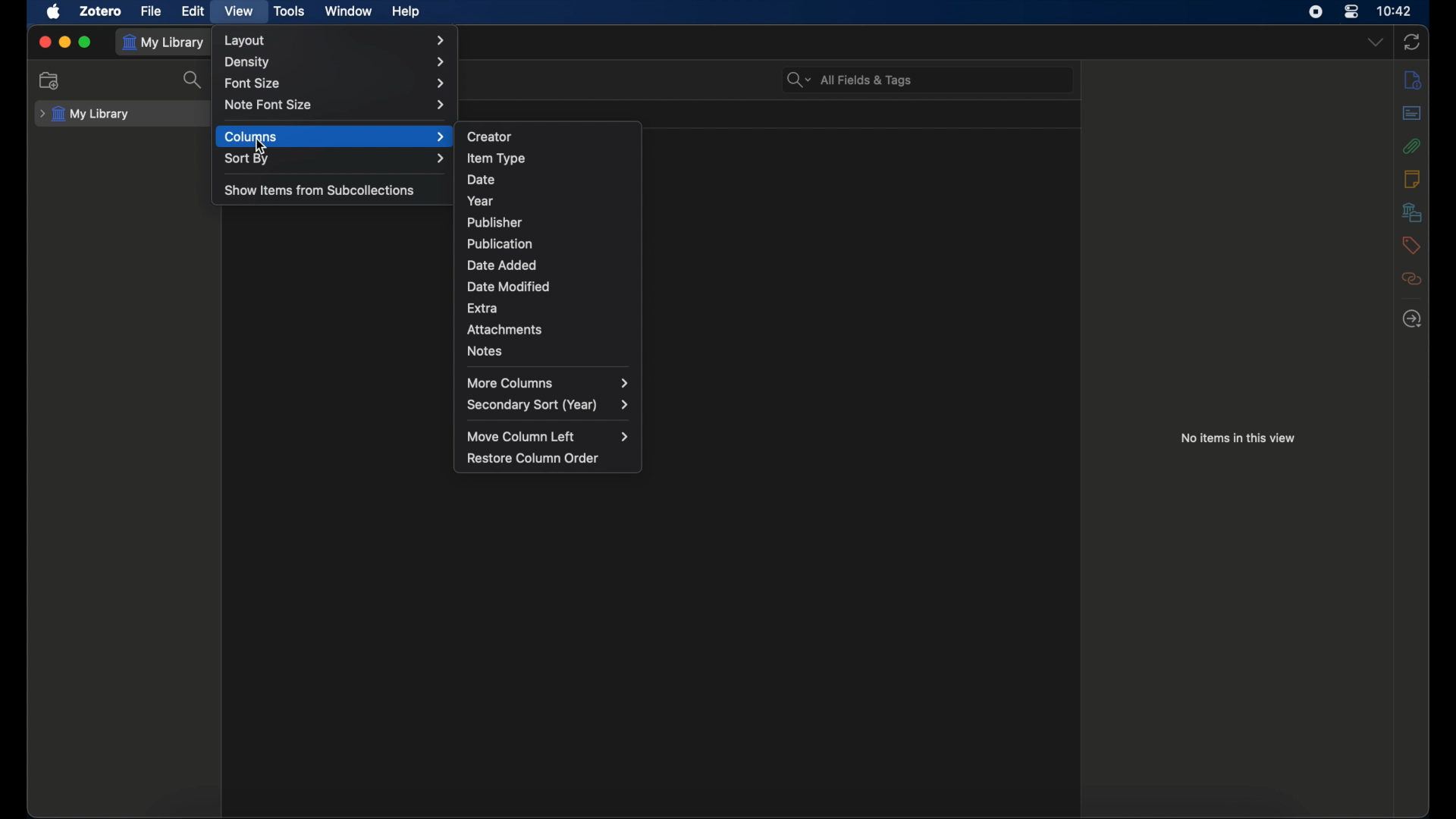 The image size is (1456, 819). Describe the element at coordinates (64, 42) in the screenshot. I see `minimize` at that location.